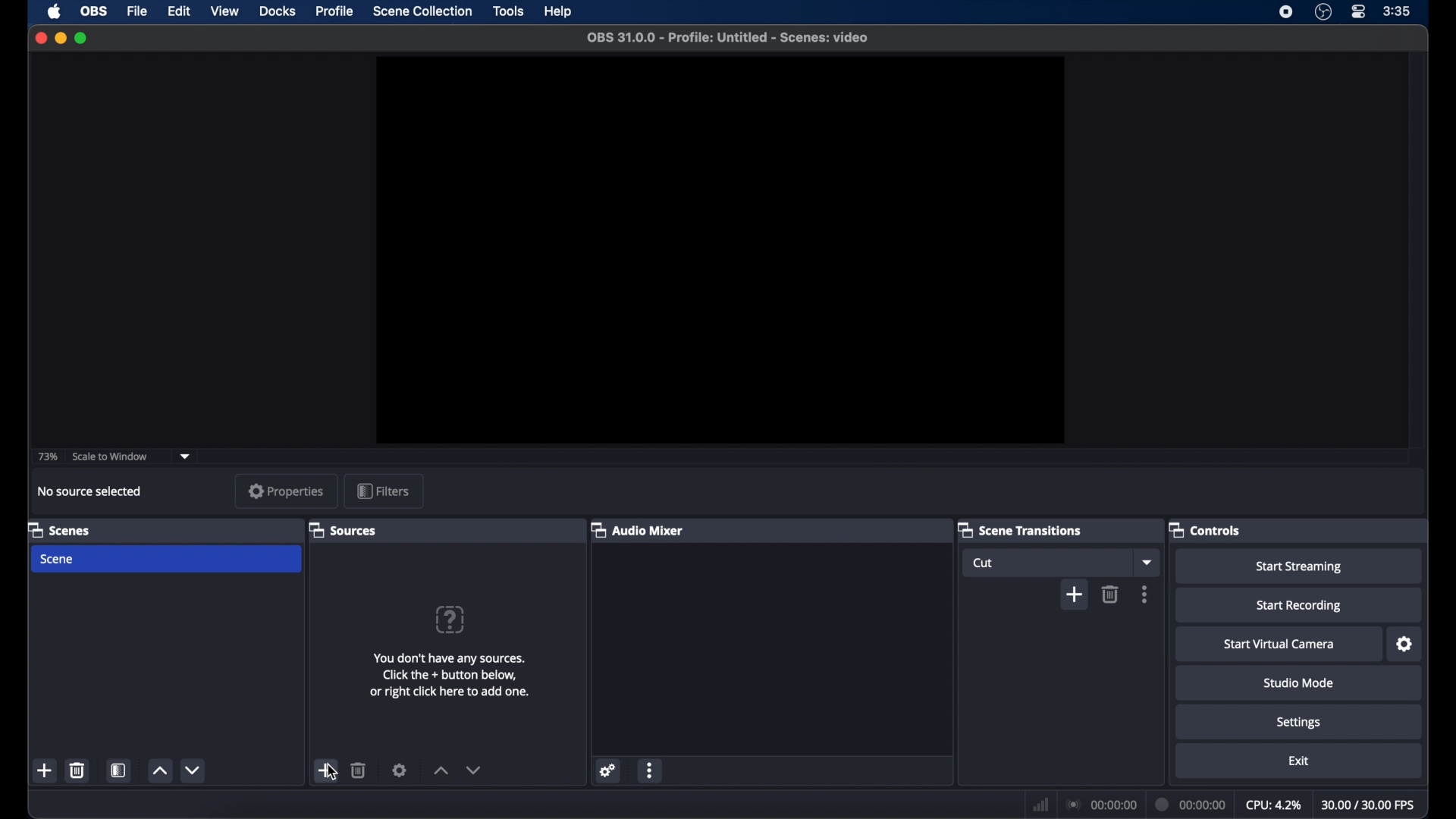 The image size is (1456, 819). What do you see at coordinates (159, 770) in the screenshot?
I see `increment` at bounding box center [159, 770].